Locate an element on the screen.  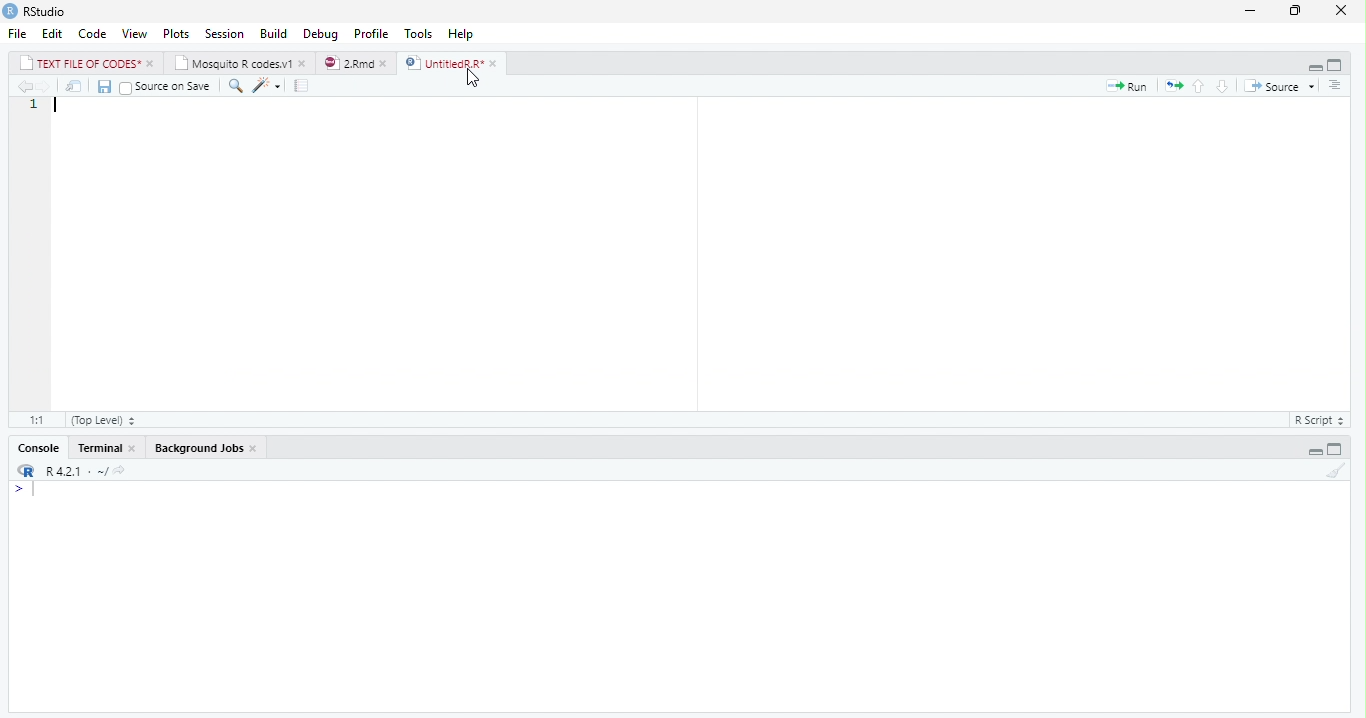
minimize is located at coordinates (1315, 66).